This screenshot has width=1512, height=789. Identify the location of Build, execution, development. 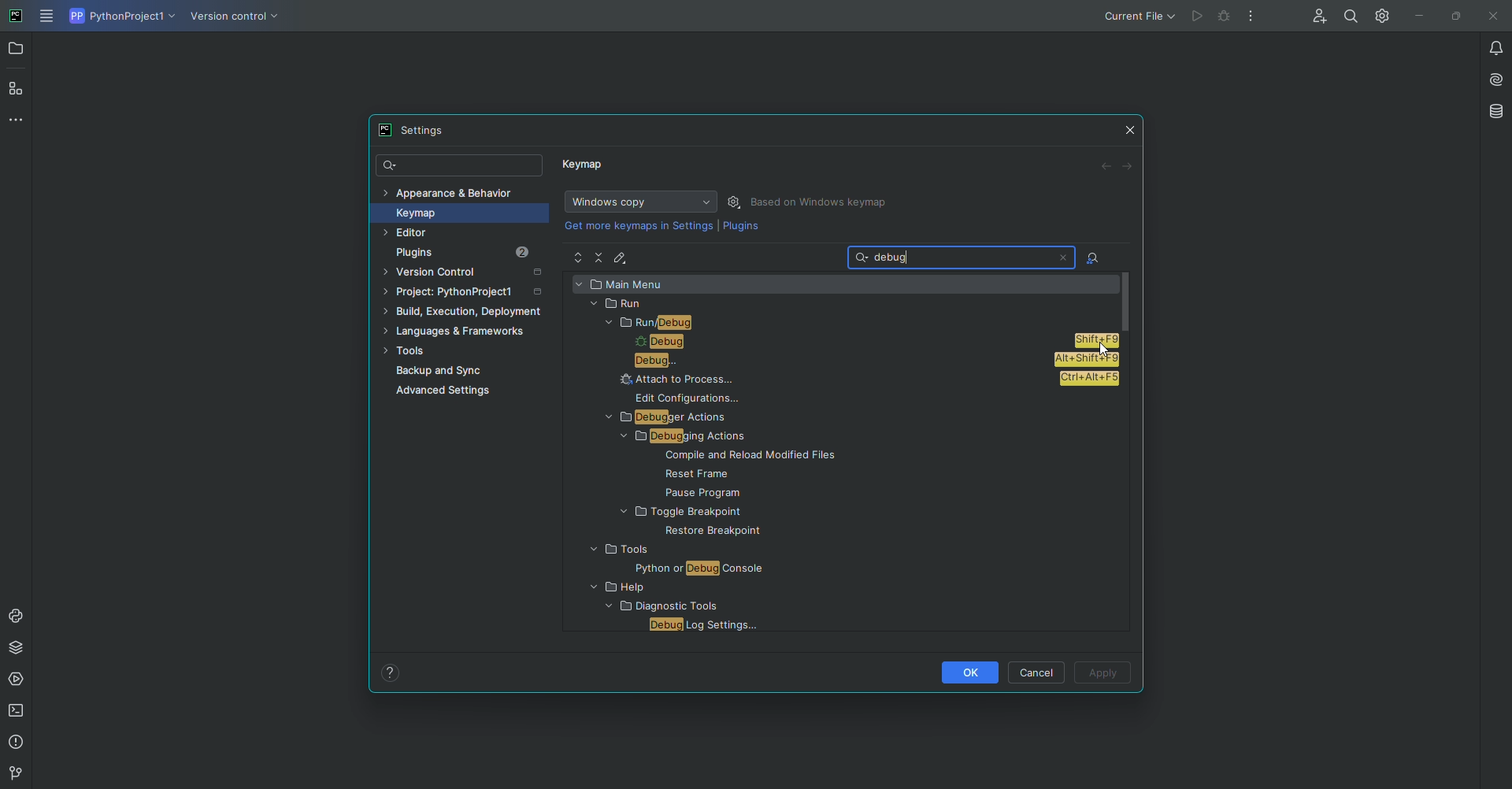
(467, 314).